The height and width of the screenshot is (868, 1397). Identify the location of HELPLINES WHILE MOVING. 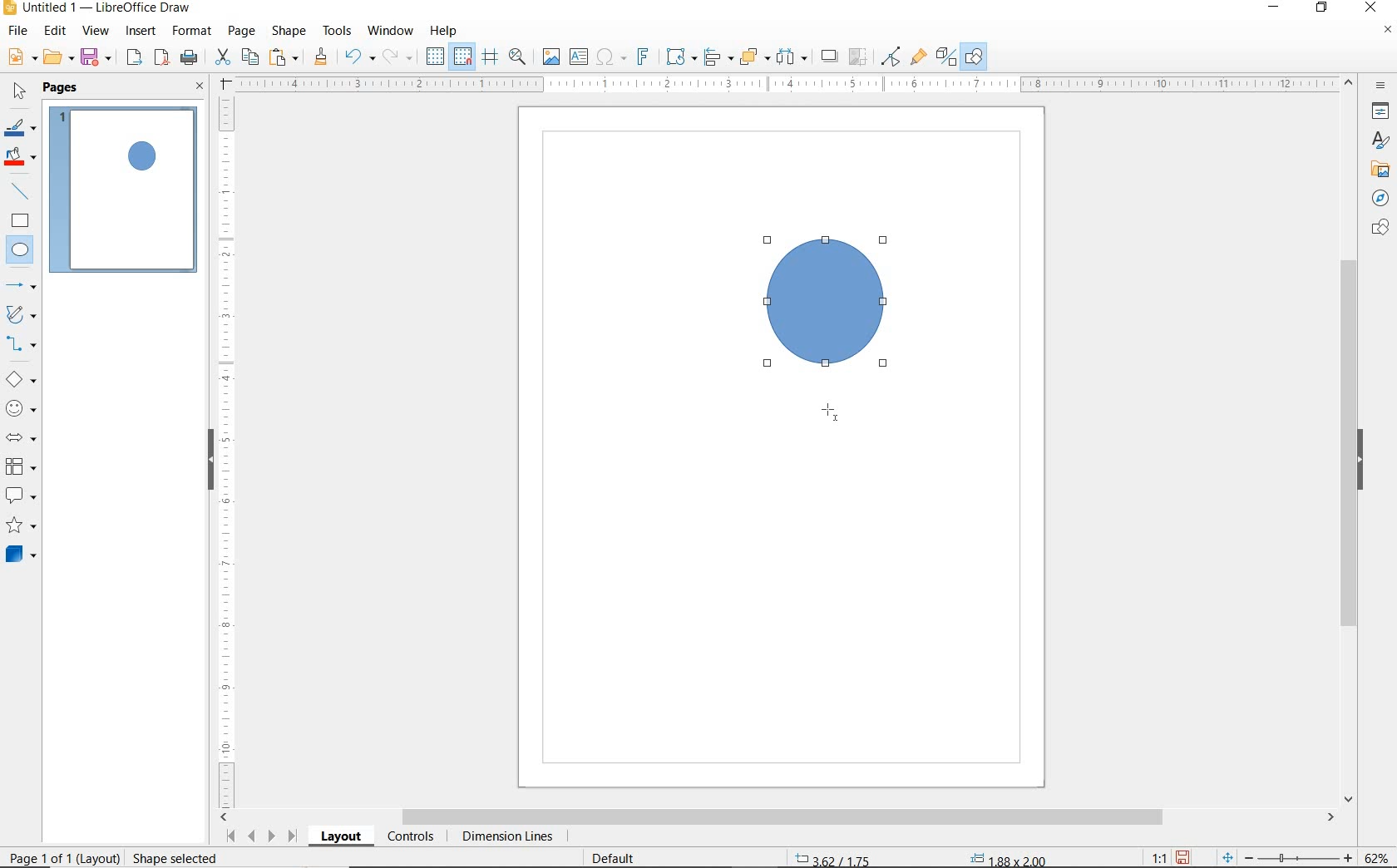
(490, 57).